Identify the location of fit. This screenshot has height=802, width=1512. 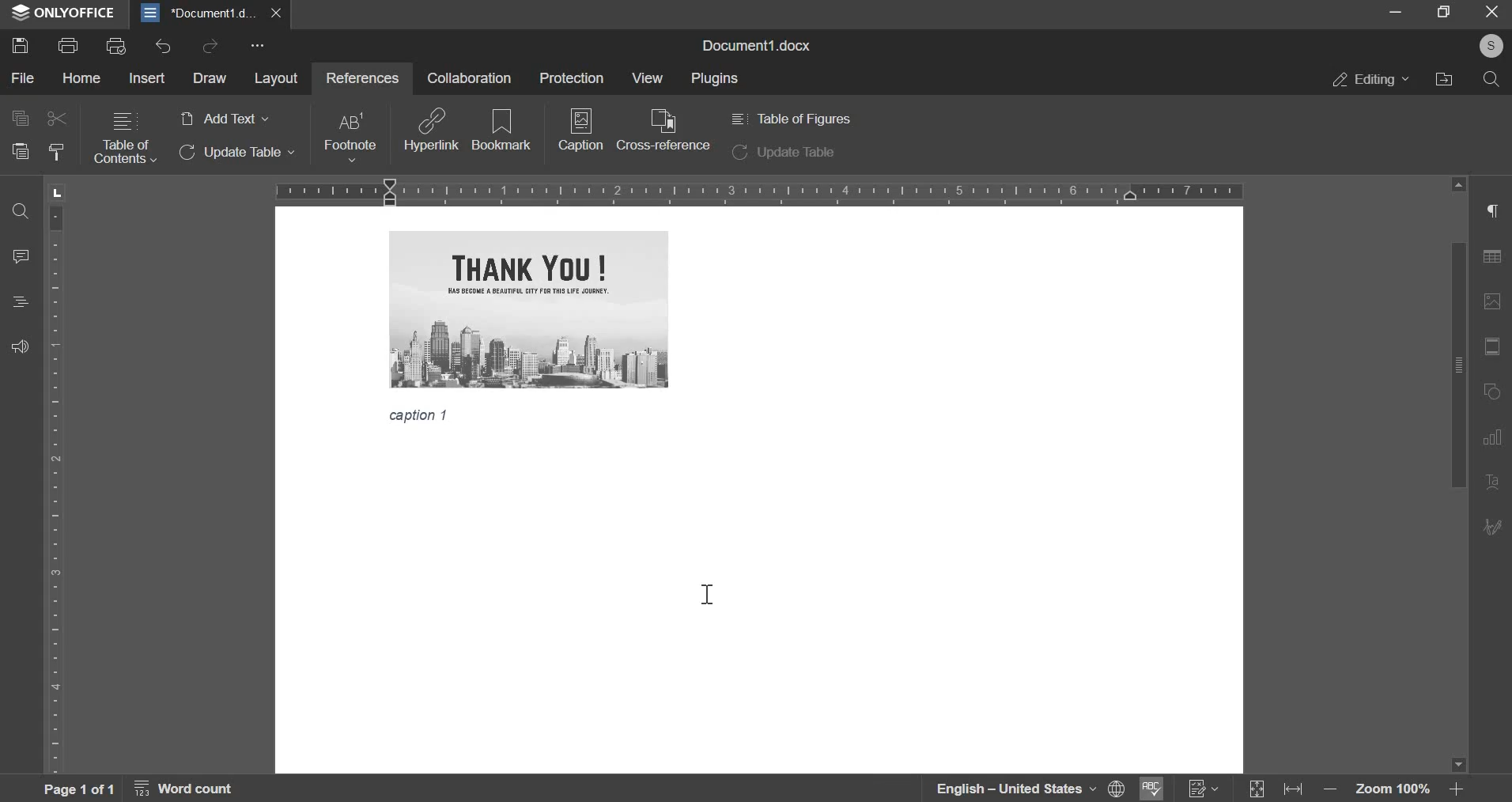
(1495, 348).